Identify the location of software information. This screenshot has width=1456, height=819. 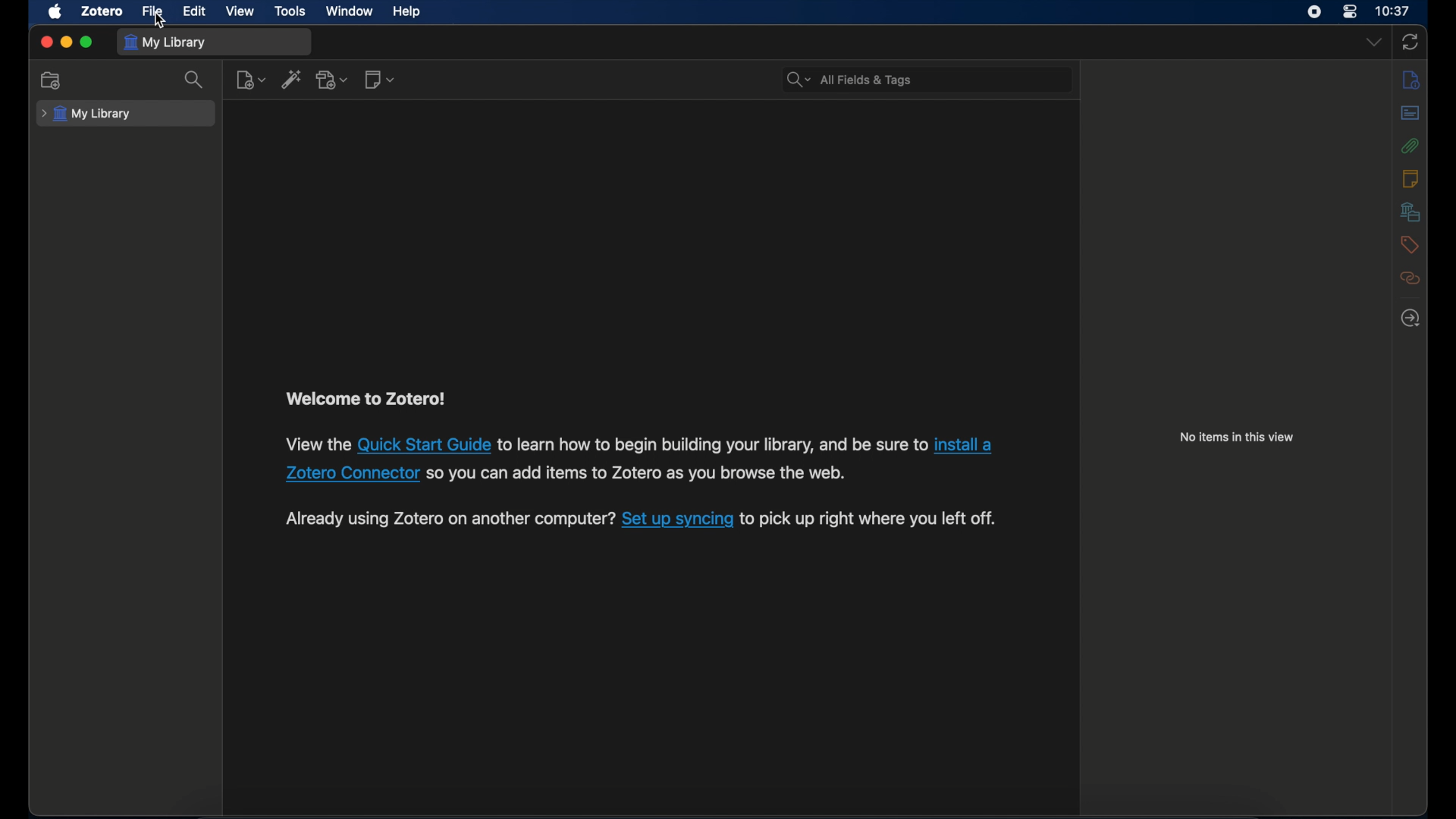
(712, 444).